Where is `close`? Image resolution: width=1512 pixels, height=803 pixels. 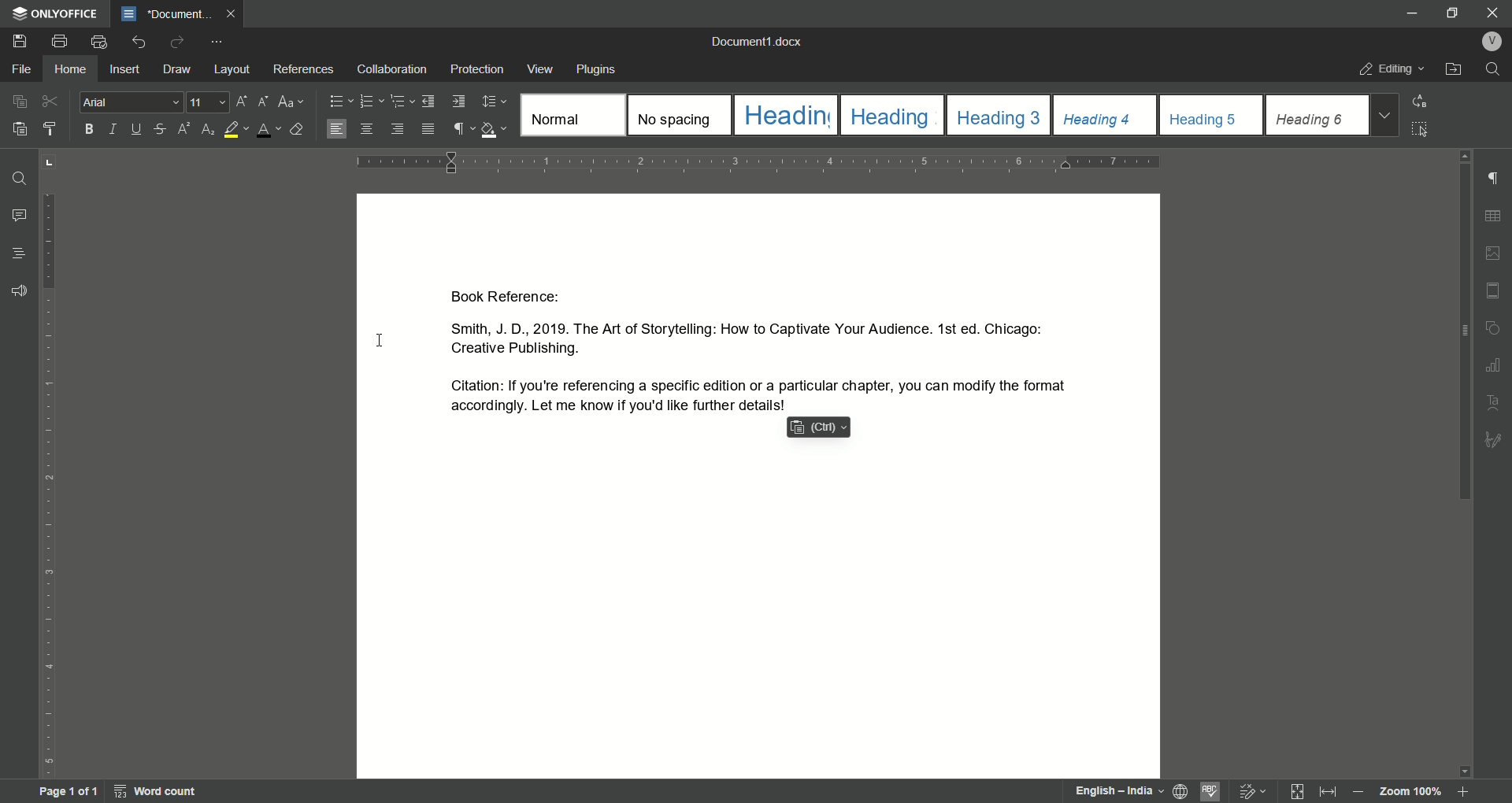
close is located at coordinates (233, 13).